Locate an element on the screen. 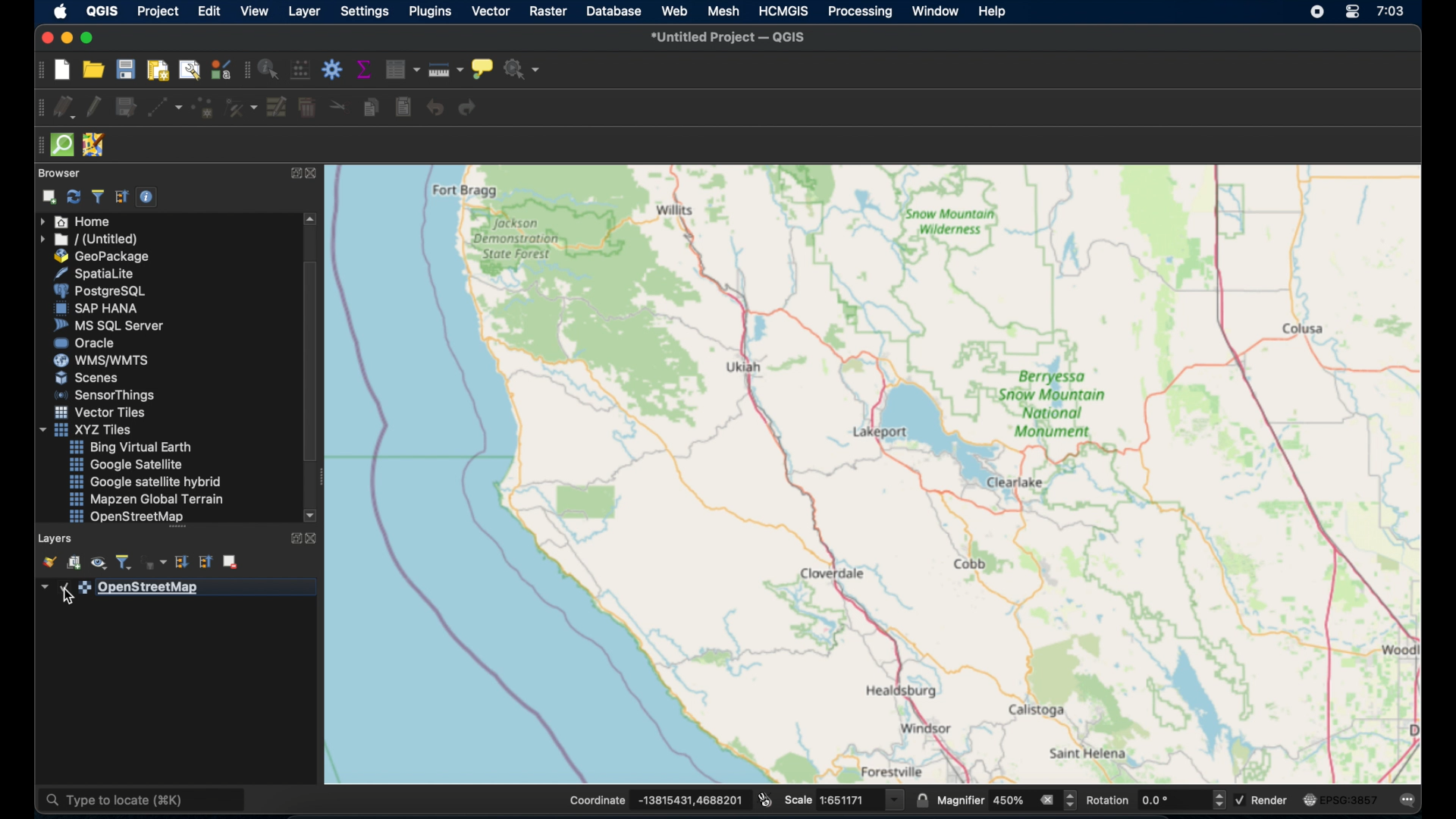 This screenshot has width=1456, height=819. bing virtual earth is located at coordinates (134, 447).